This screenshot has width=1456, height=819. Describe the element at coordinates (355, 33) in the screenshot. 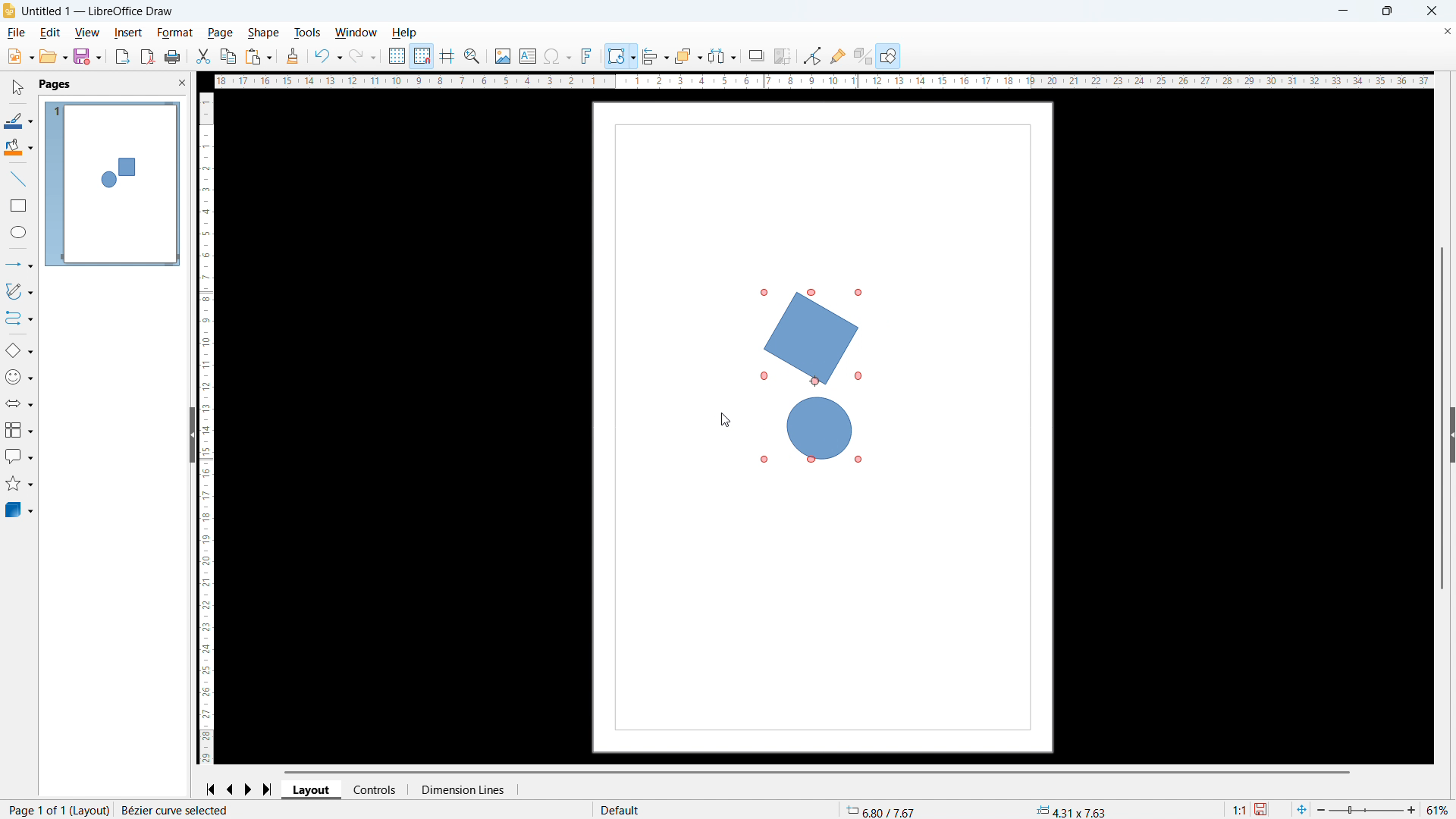

I see `Window ` at that location.